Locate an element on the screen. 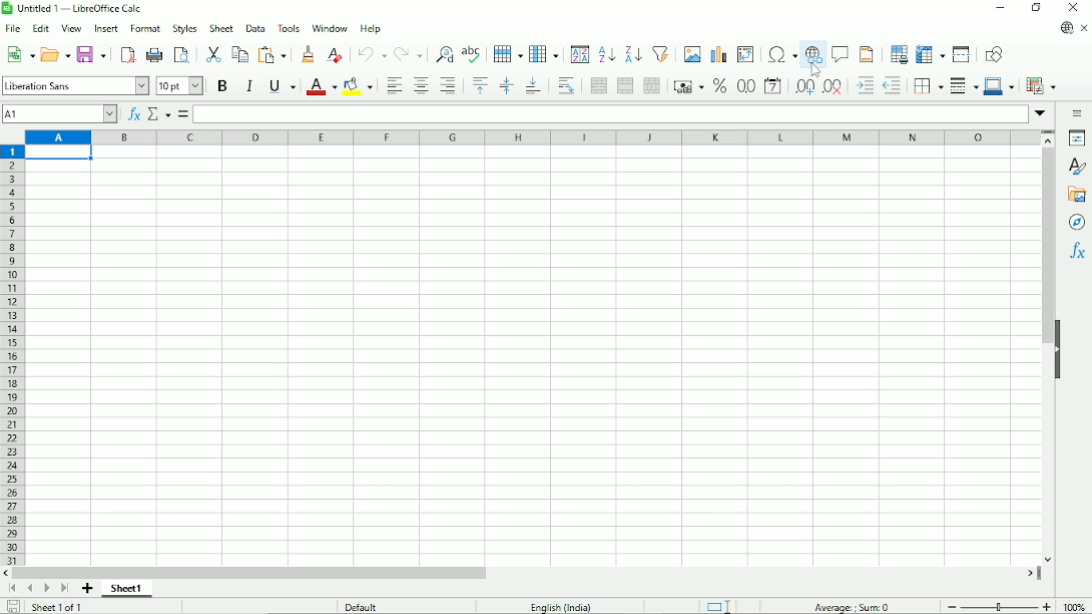 Image resolution: width=1092 pixels, height=614 pixels. view is located at coordinates (72, 27).